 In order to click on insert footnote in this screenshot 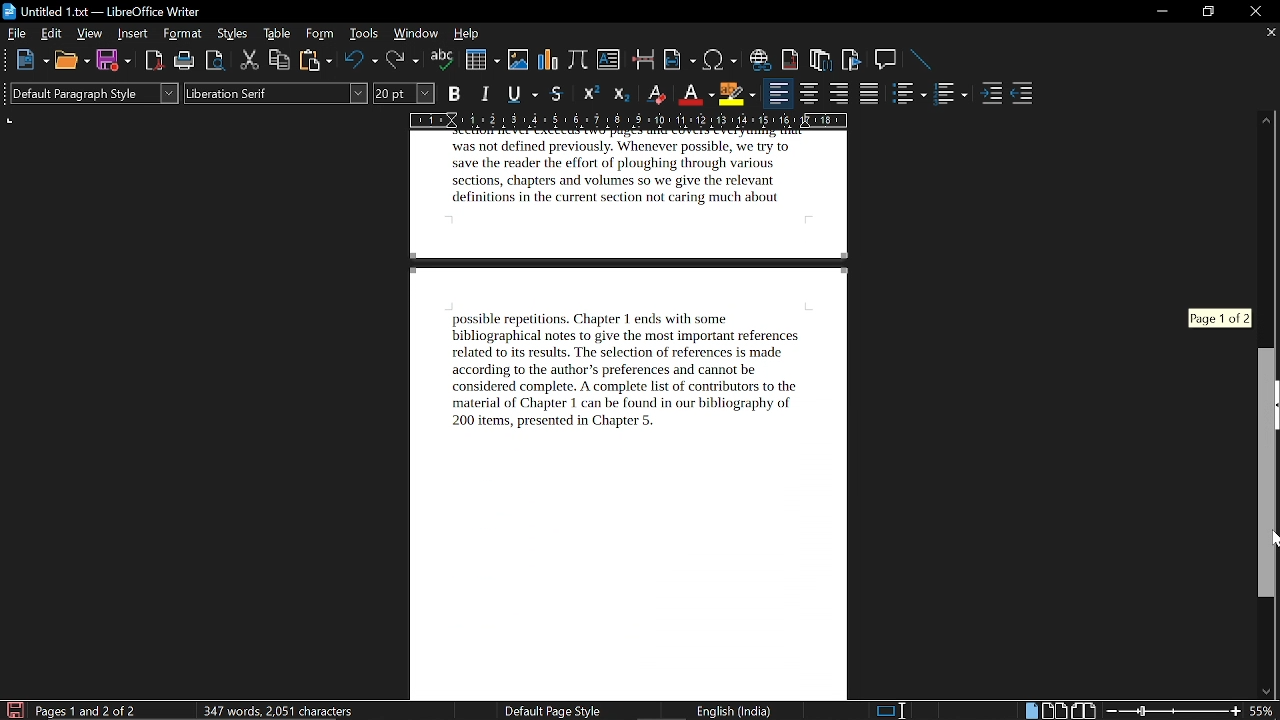, I will do `click(791, 59)`.